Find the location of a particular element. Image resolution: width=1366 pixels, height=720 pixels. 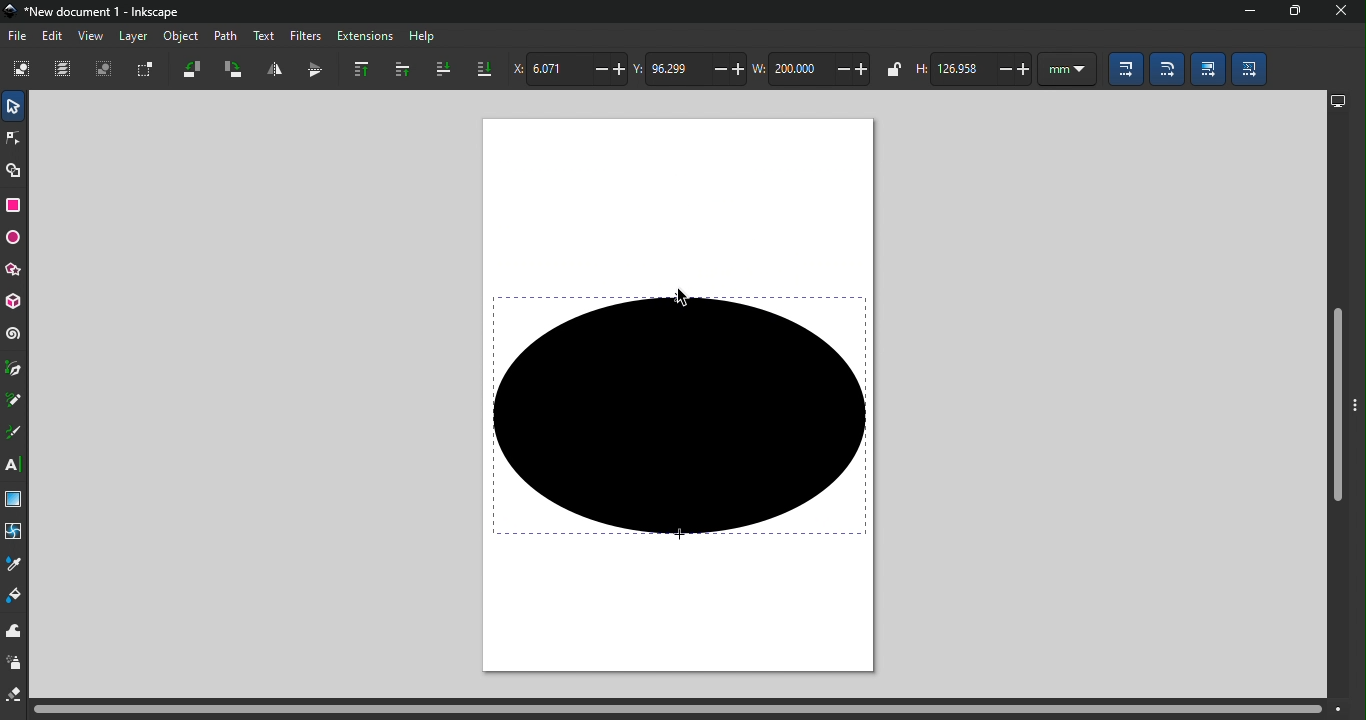

Maximize is located at coordinates (1292, 12).